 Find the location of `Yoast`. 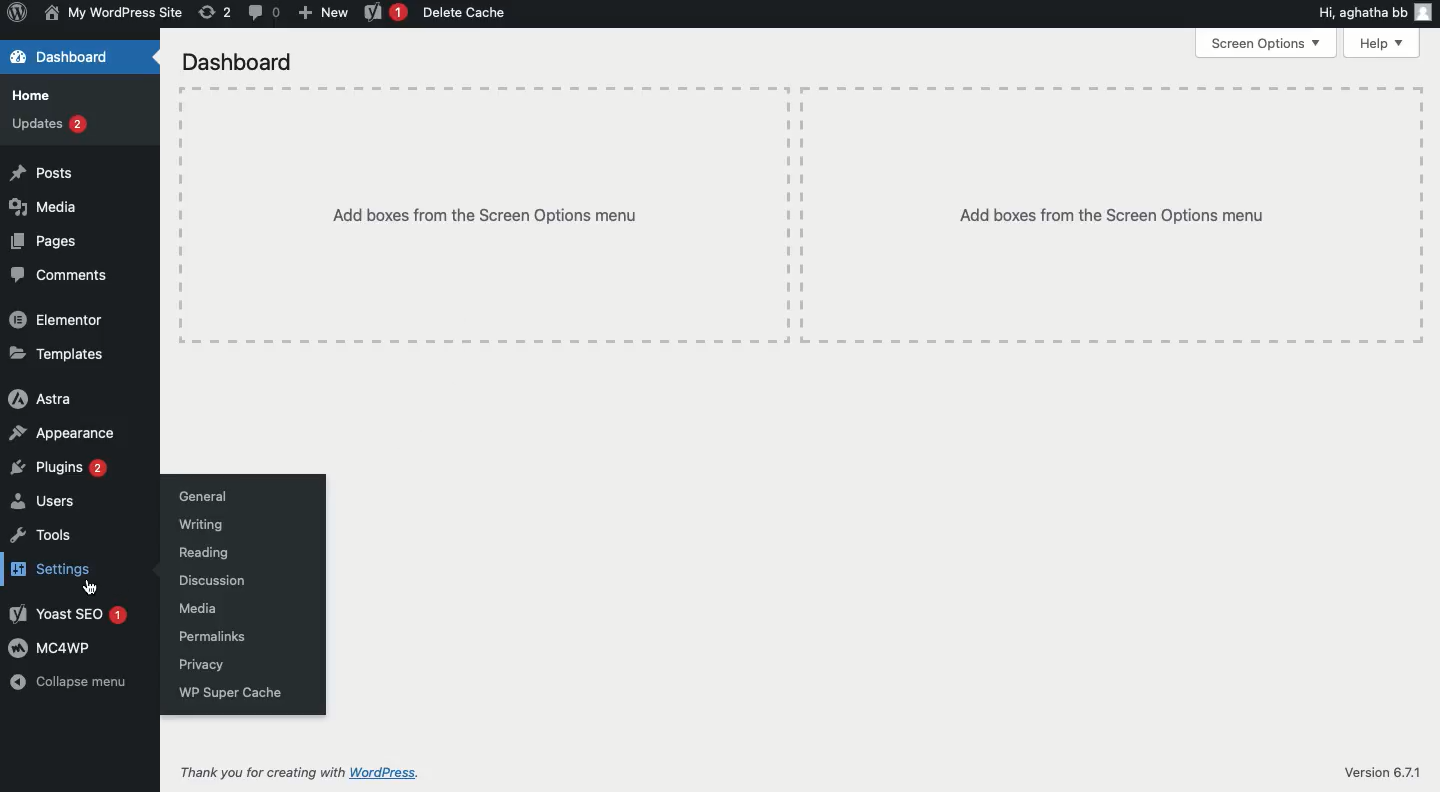

Yoast is located at coordinates (71, 612).